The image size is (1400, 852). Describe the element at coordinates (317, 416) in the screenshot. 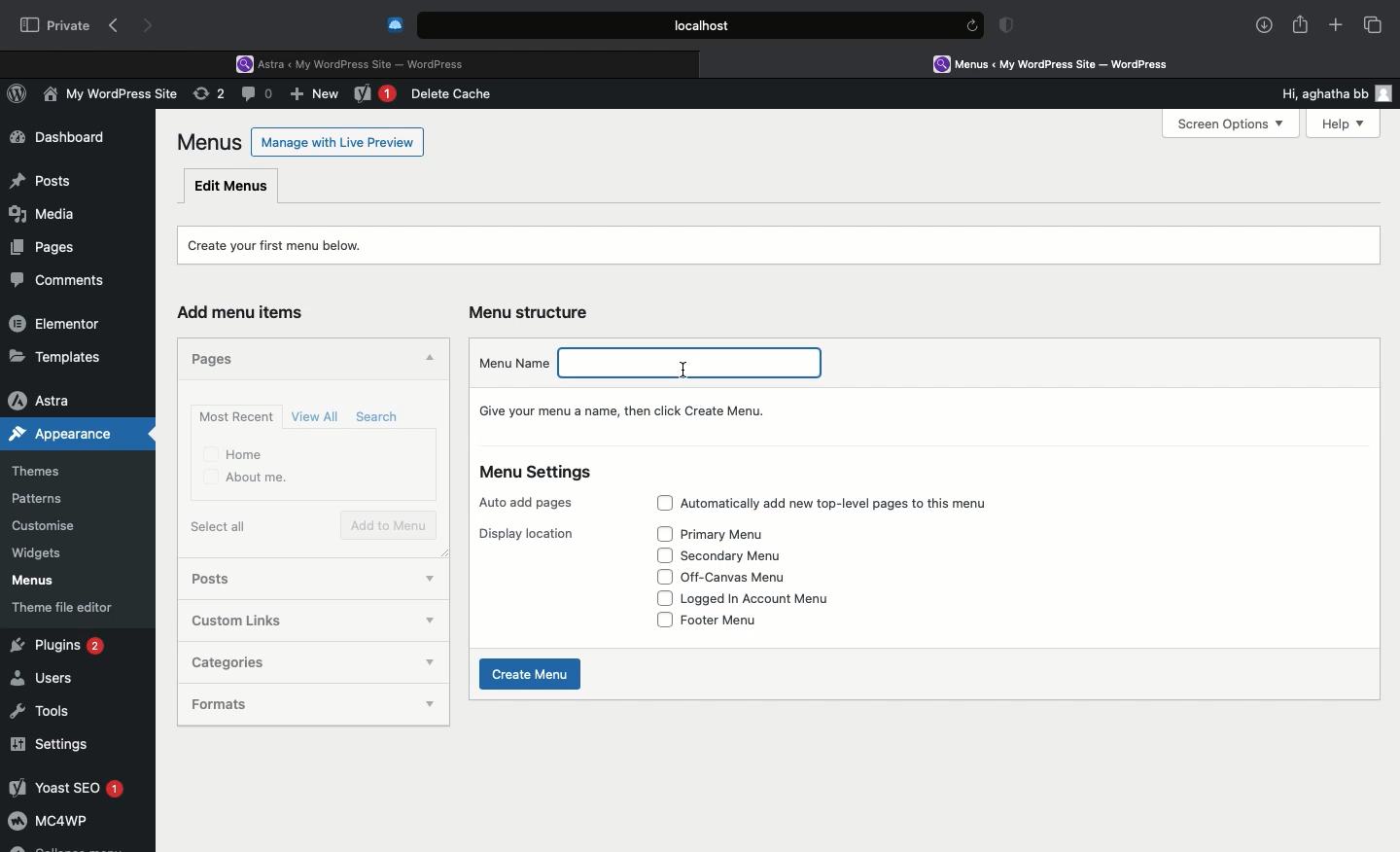

I see `View all` at that location.